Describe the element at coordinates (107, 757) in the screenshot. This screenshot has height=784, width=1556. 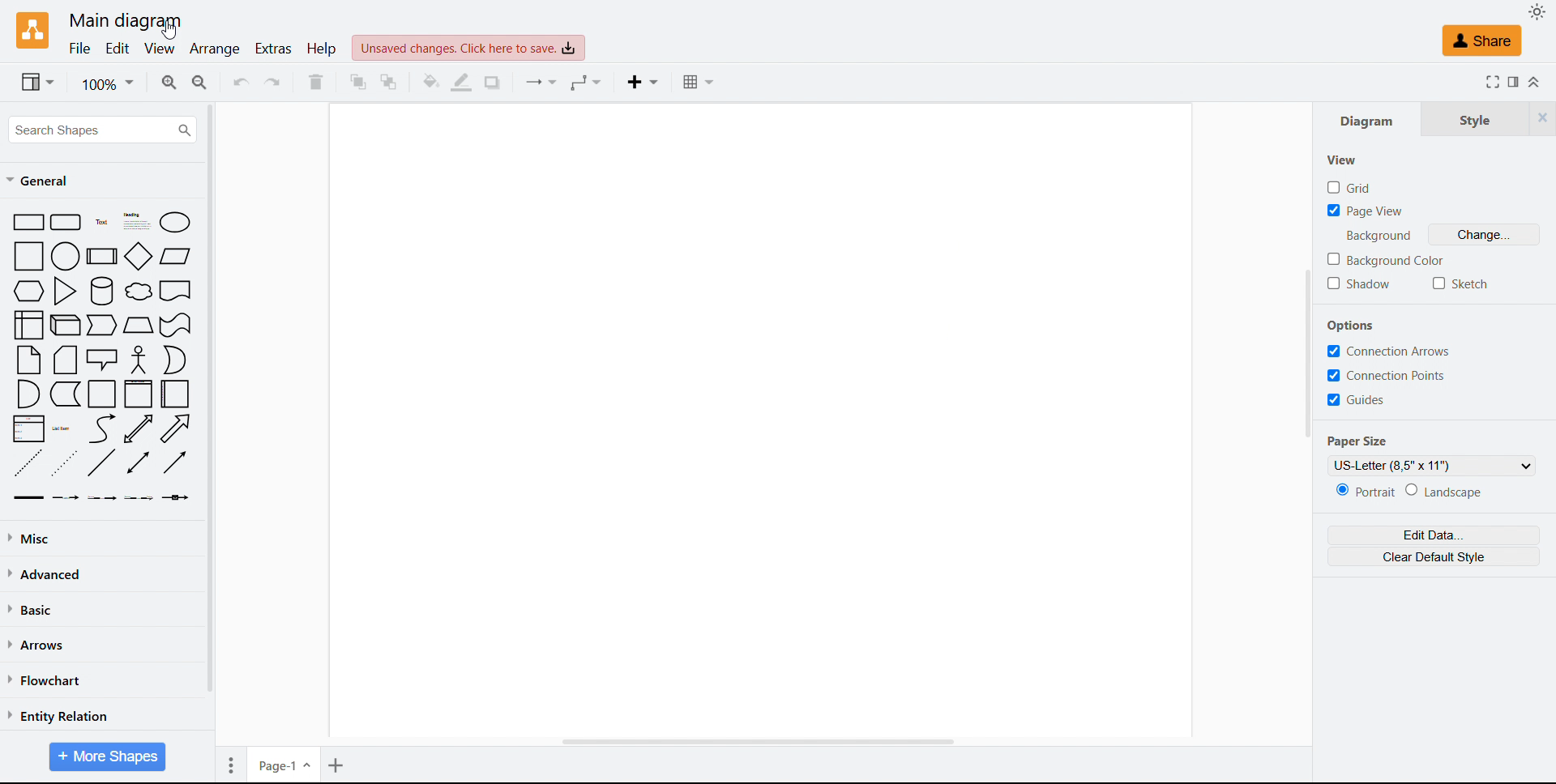
I see `More shapes` at that location.